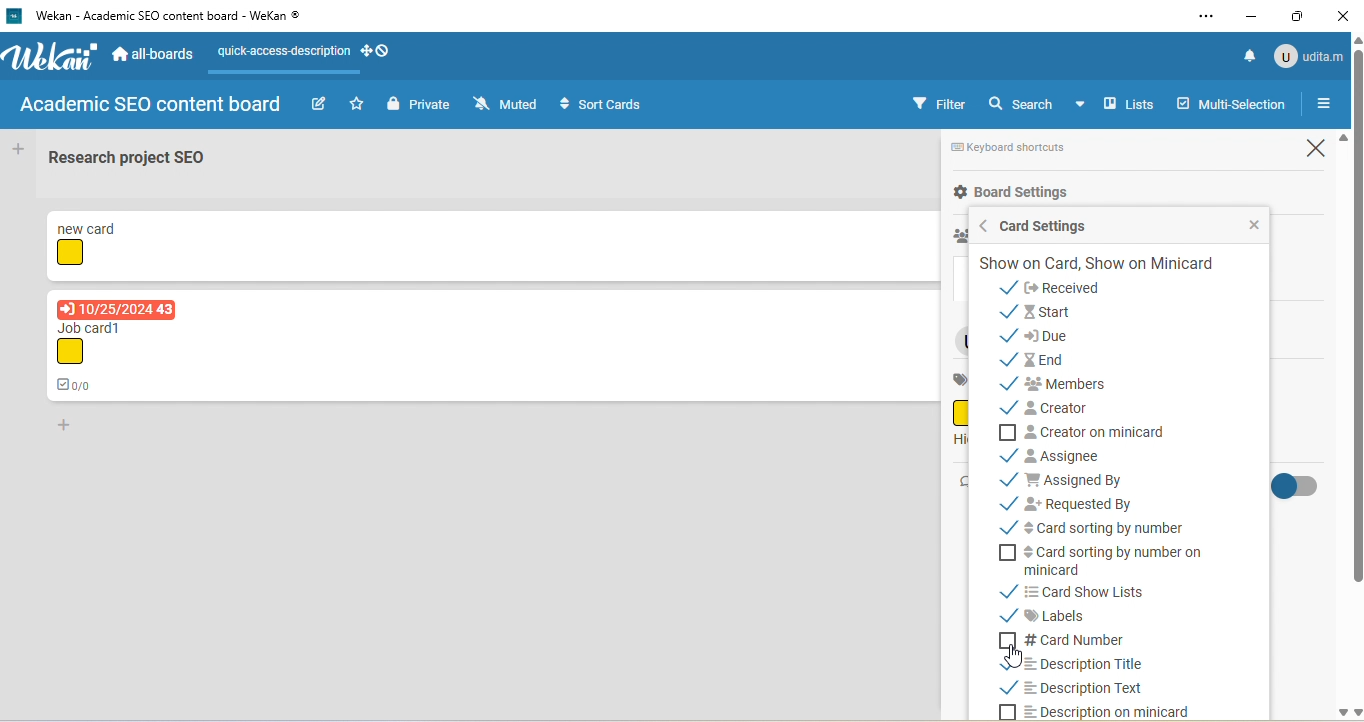 This screenshot has width=1364, height=722. Describe the element at coordinates (1309, 55) in the screenshot. I see `udita m` at that location.